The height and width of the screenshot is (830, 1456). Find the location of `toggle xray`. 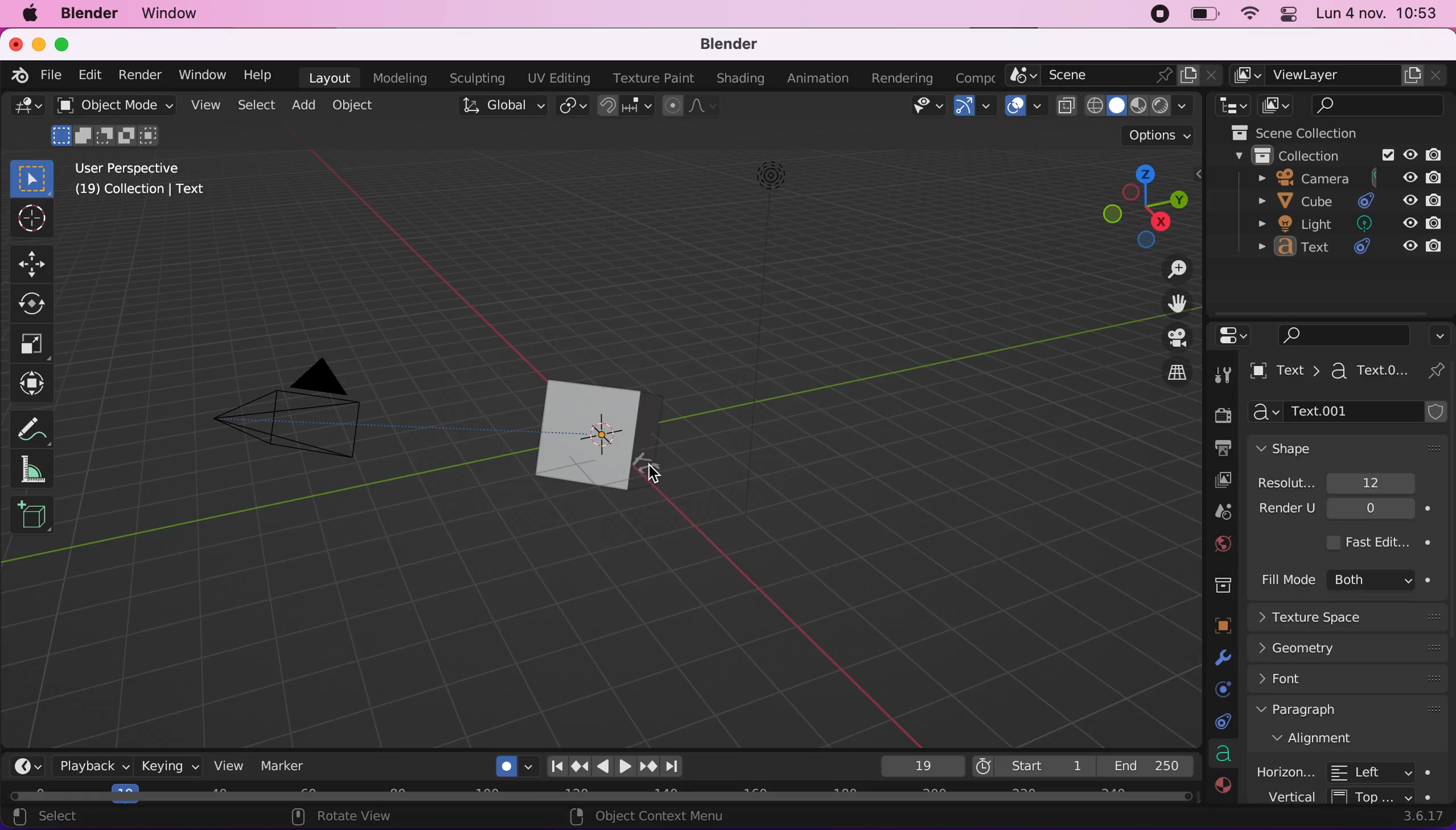

toggle xray is located at coordinates (1066, 112).